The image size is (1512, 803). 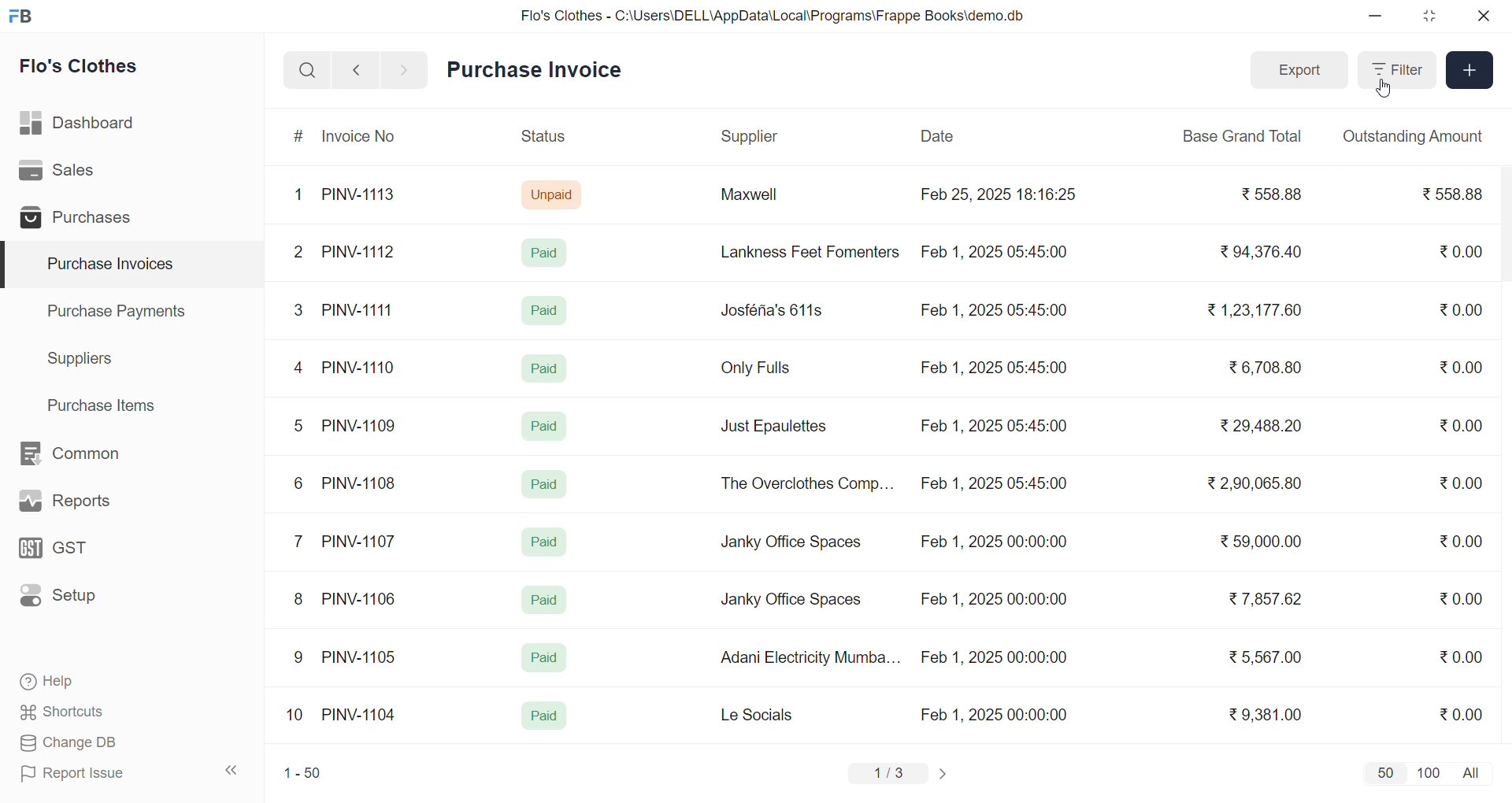 What do you see at coordinates (1256, 484) in the screenshot?
I see `₹ 2,90,065.80` at bounding box center [1256, 484].